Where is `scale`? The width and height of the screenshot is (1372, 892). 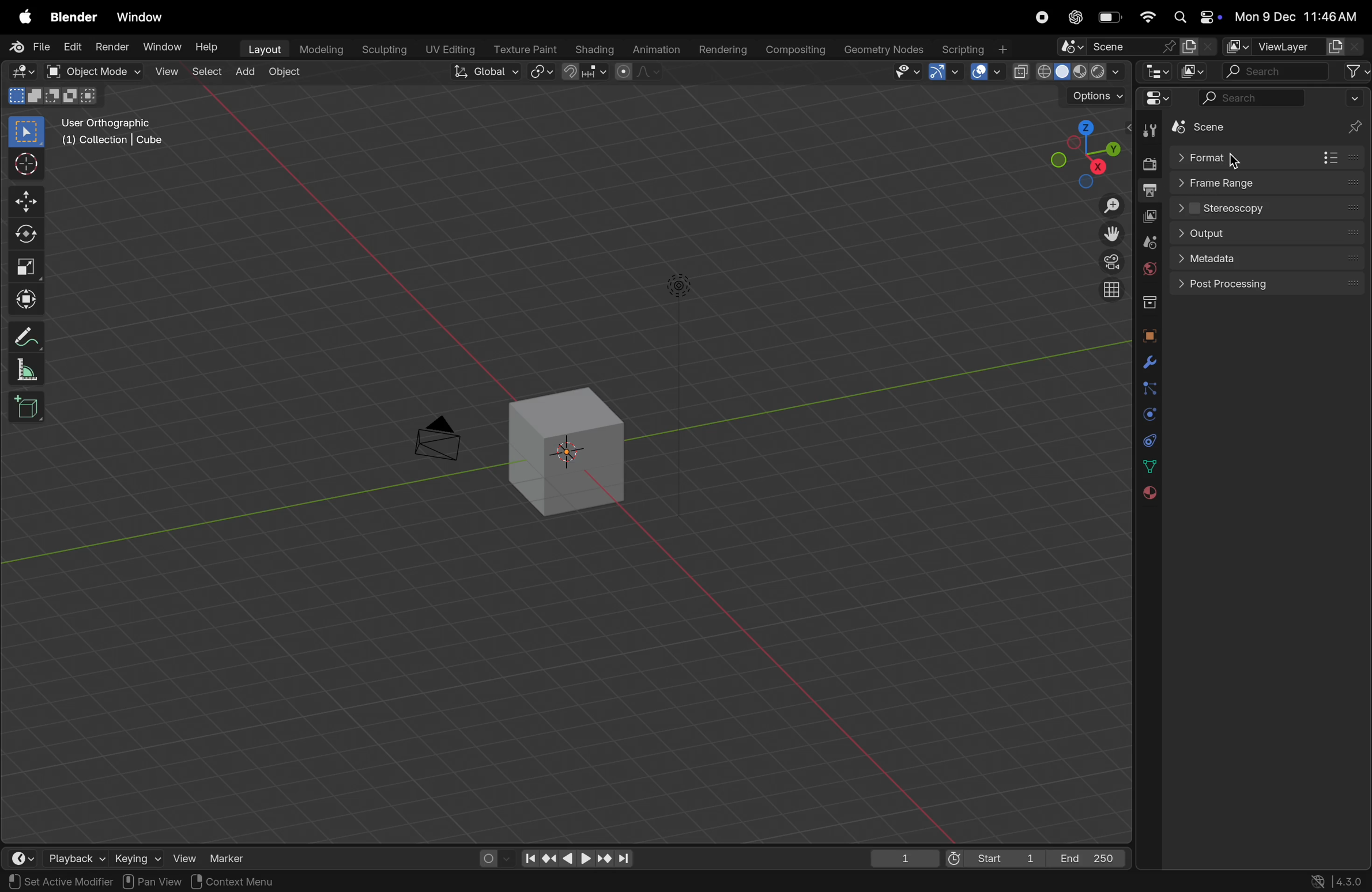 scale is located at coordinates (24, 267).